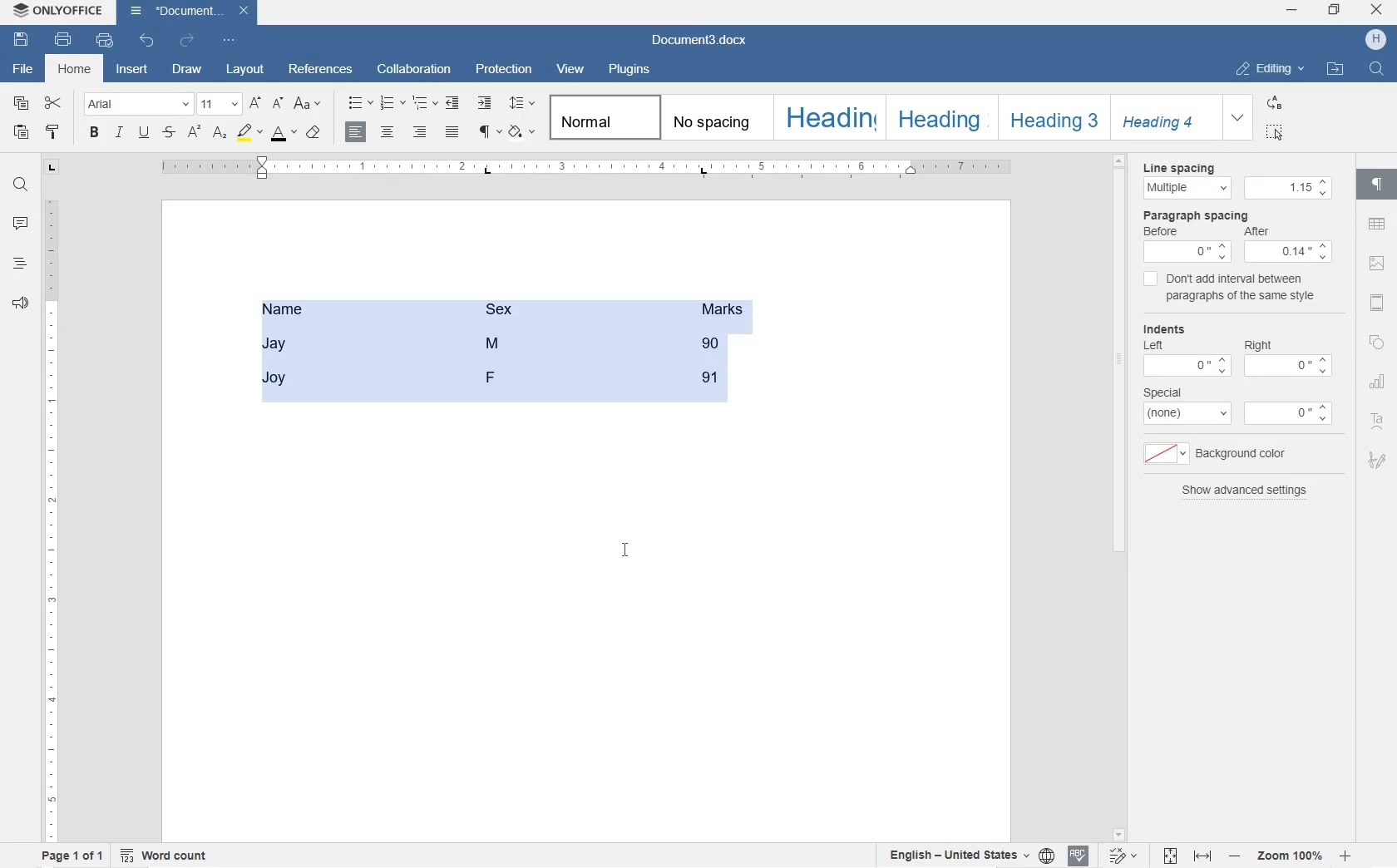 This screenshot has height=868, width=1397. Describe the element at coordinates (1239, 166) in the screenshot. I see `Line spacing` at that location.